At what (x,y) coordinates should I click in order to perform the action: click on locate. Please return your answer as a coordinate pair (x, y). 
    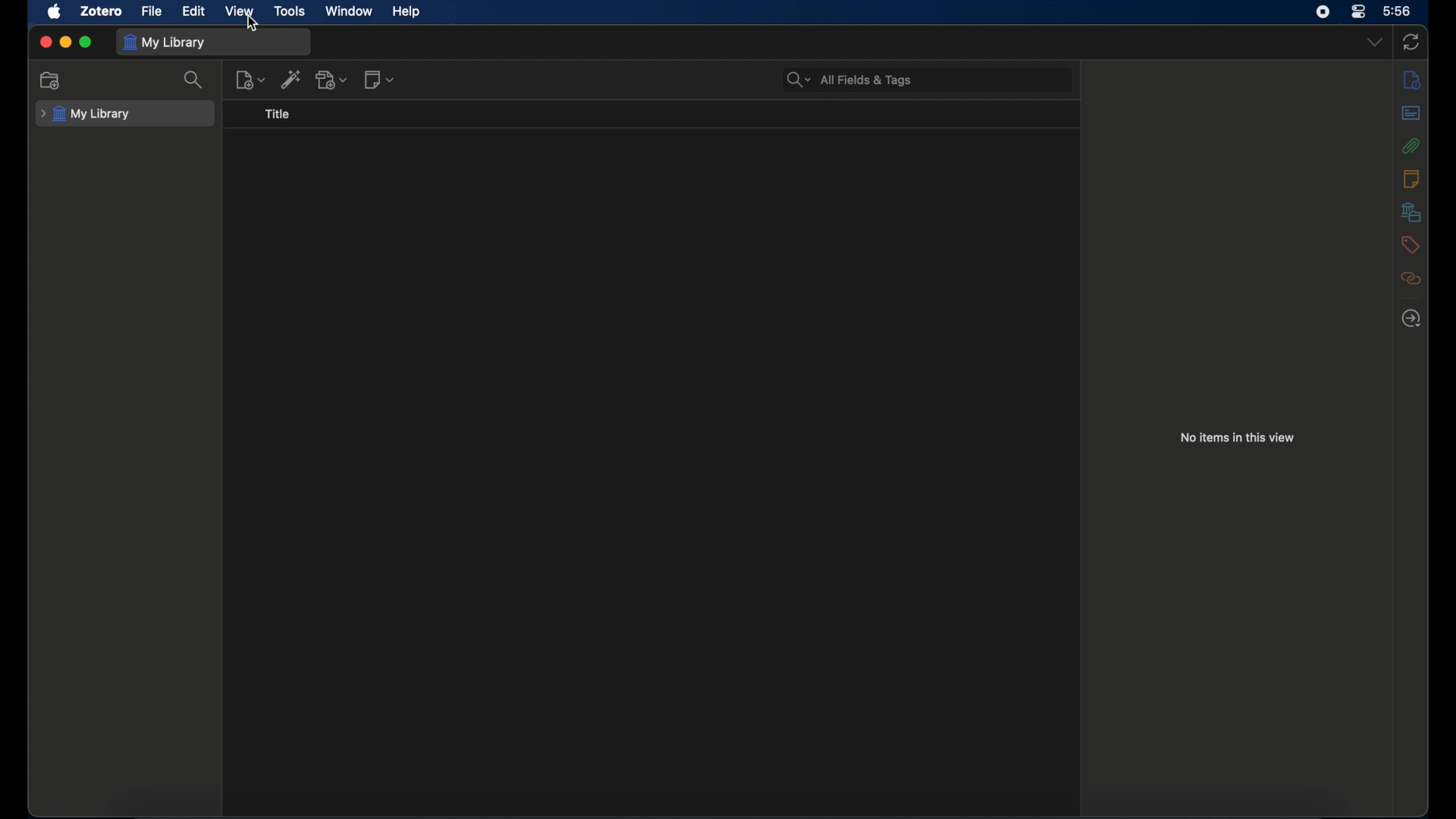
    Looking at the image, I should click on (1411, 318).